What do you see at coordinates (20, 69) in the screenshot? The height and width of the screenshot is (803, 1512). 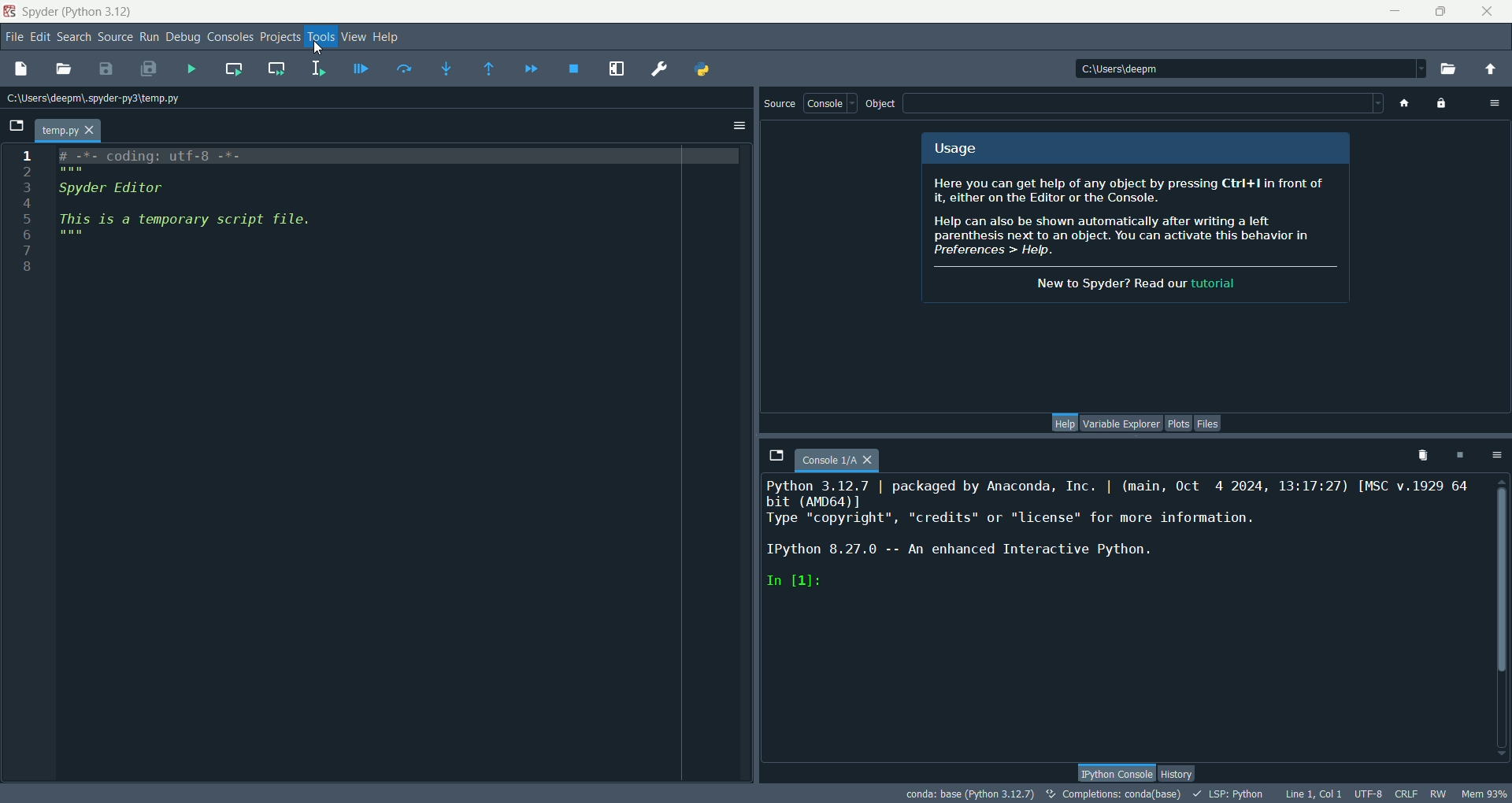 I see `new` at bounding box center [20, 69].